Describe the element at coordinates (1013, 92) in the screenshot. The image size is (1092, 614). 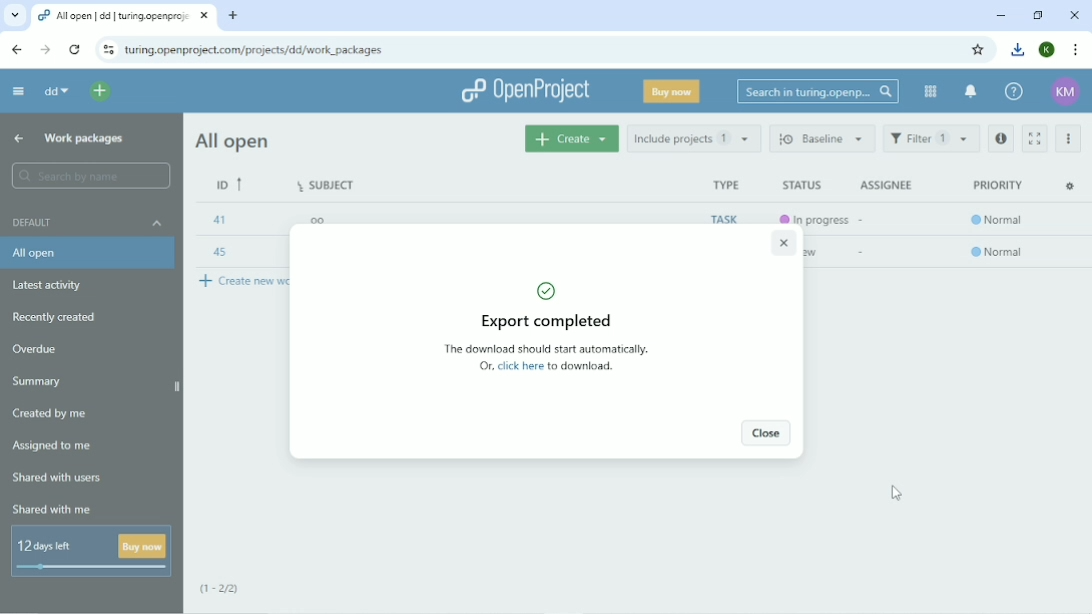
I see `Help` at that location.